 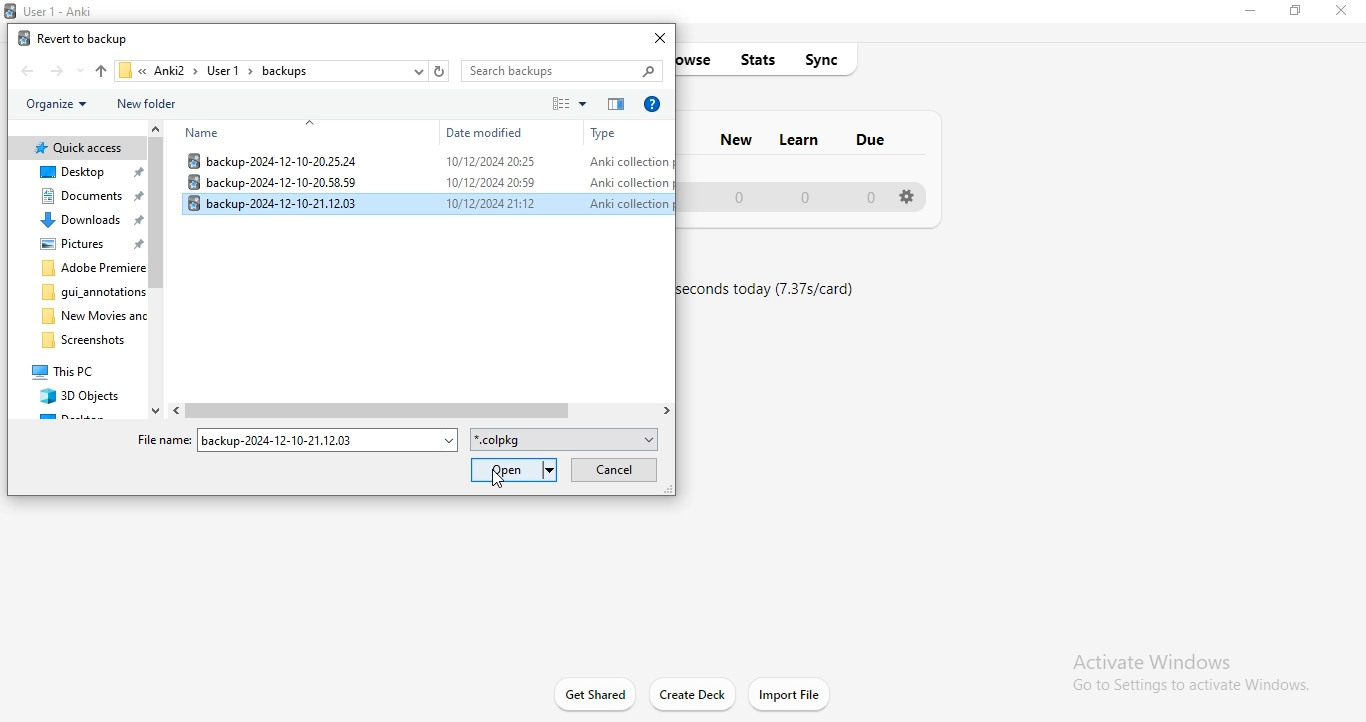 What do you see at coordinates (562, 70) in the screenshot?
I see `search bar` at bounding box center [562, 70].